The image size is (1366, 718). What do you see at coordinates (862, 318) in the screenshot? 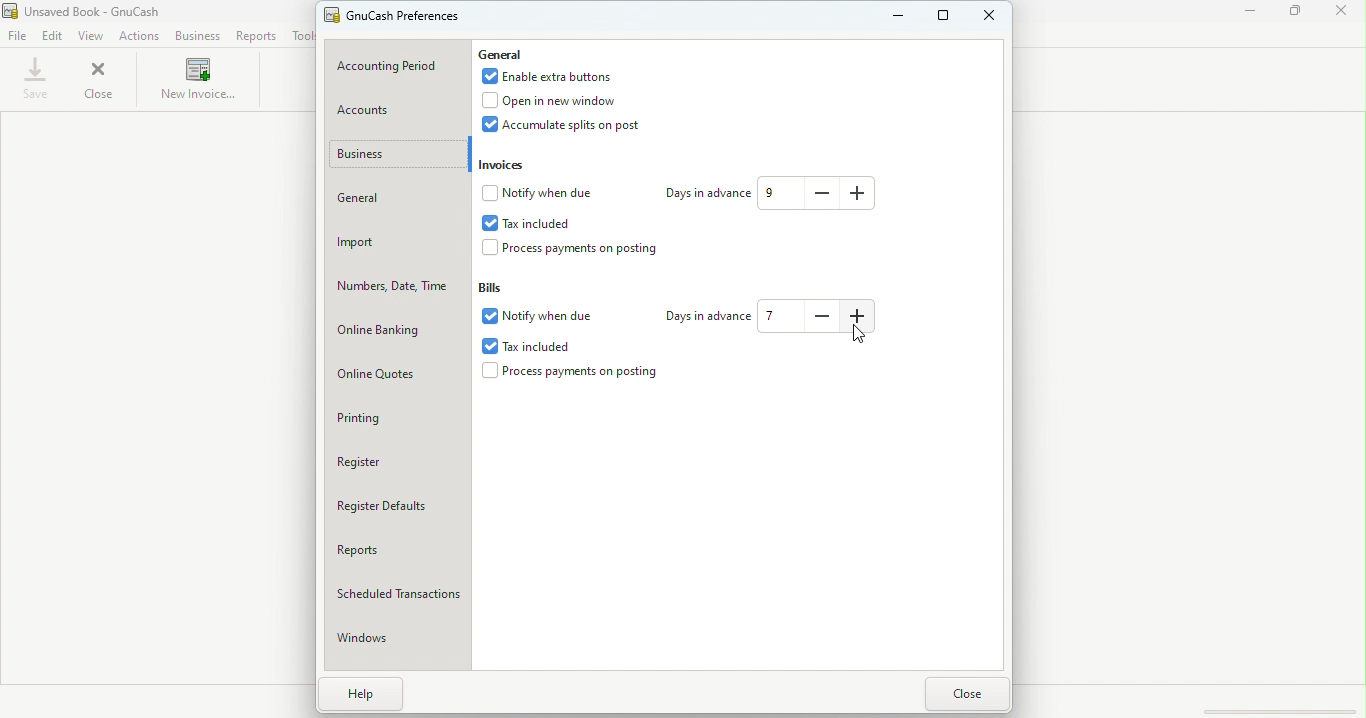
I see `Increase` at bounding box center [862, 318].